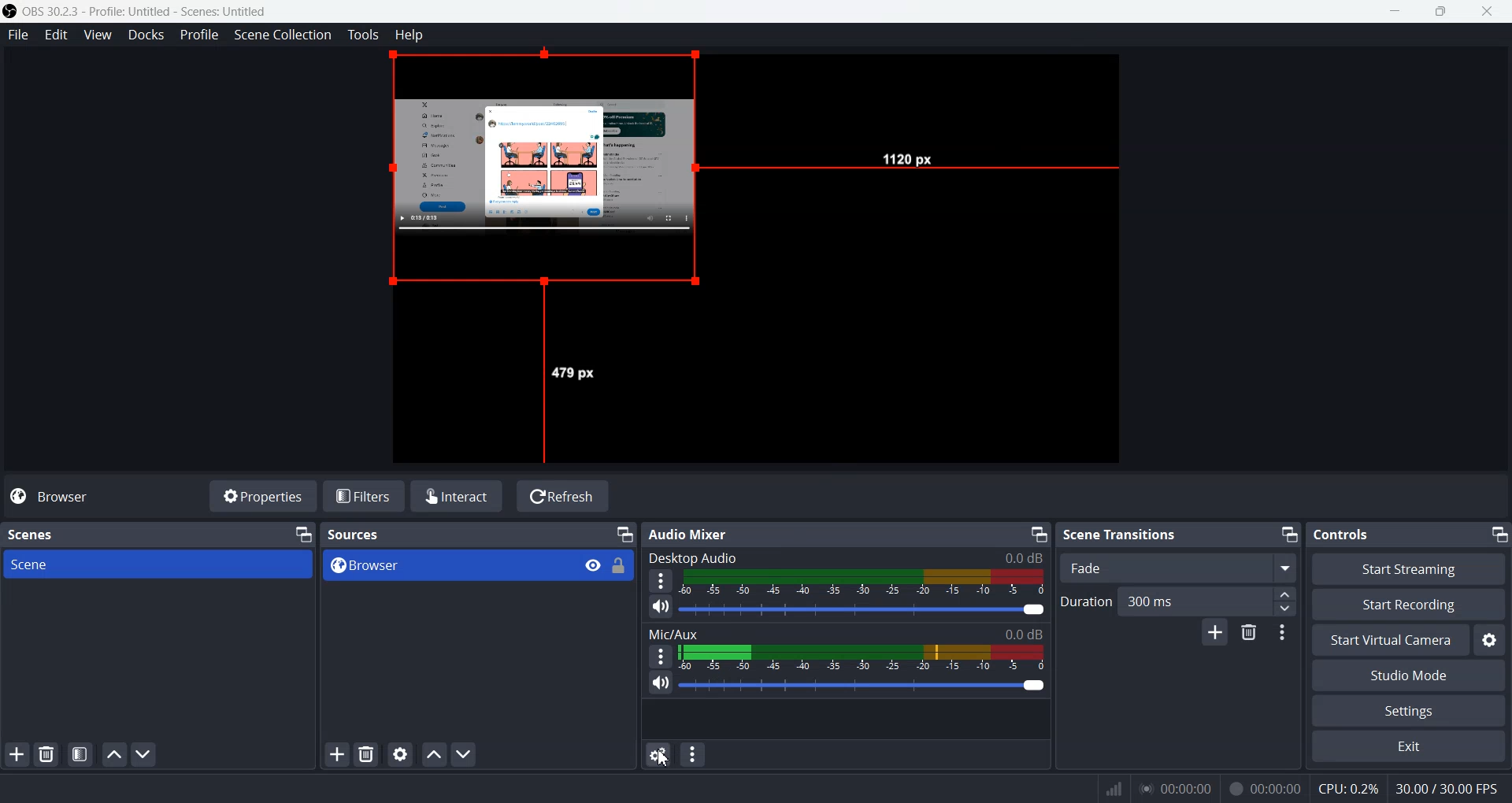 The image size is (1512, 803). What do you see at coordinates (865, 609) in the screenshot?
I see `Volume adjuster` at bounding box center [865, 609].